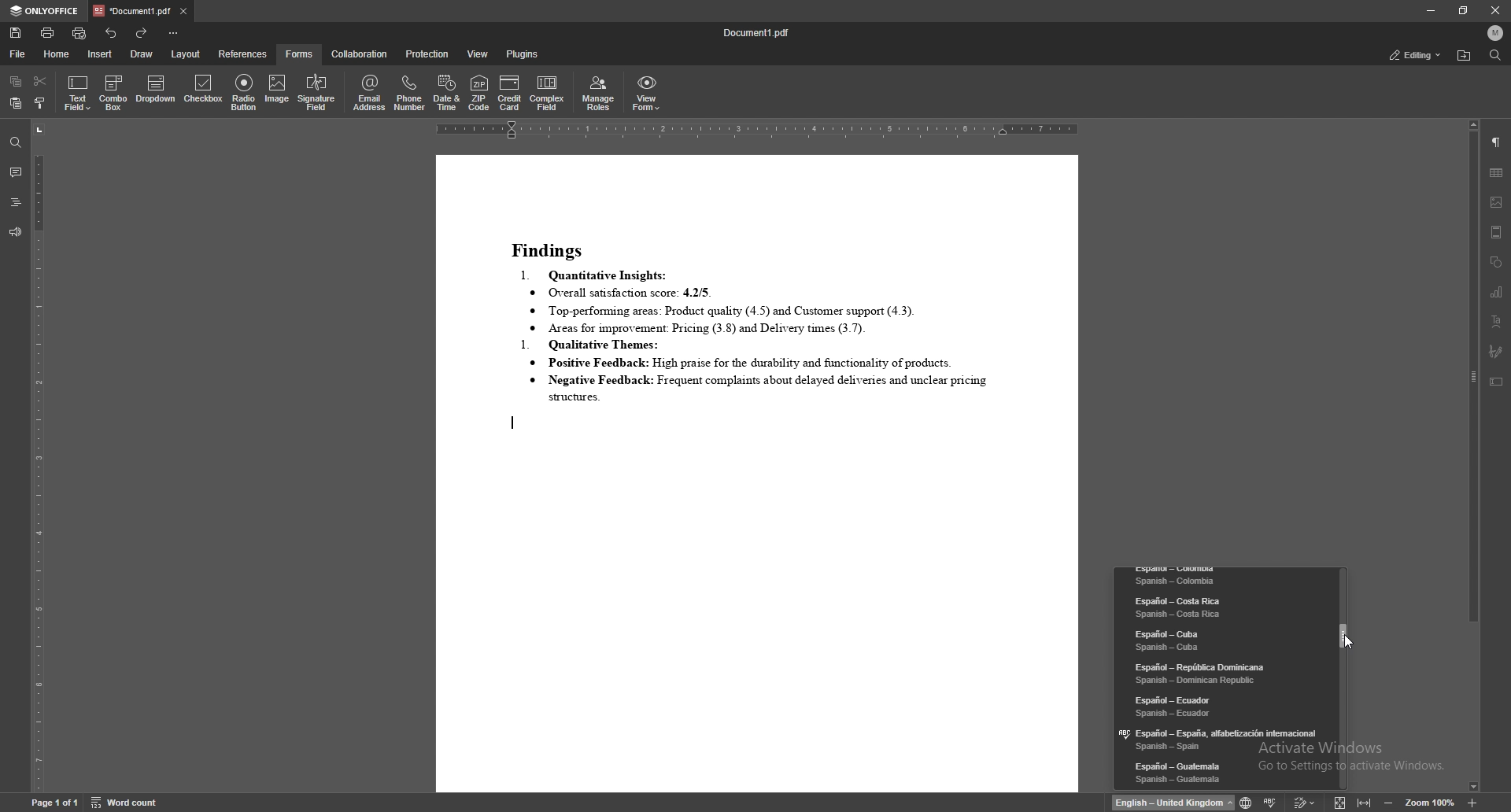 The image size is (1511, 812). I want to click on draw, so click(141, 54).